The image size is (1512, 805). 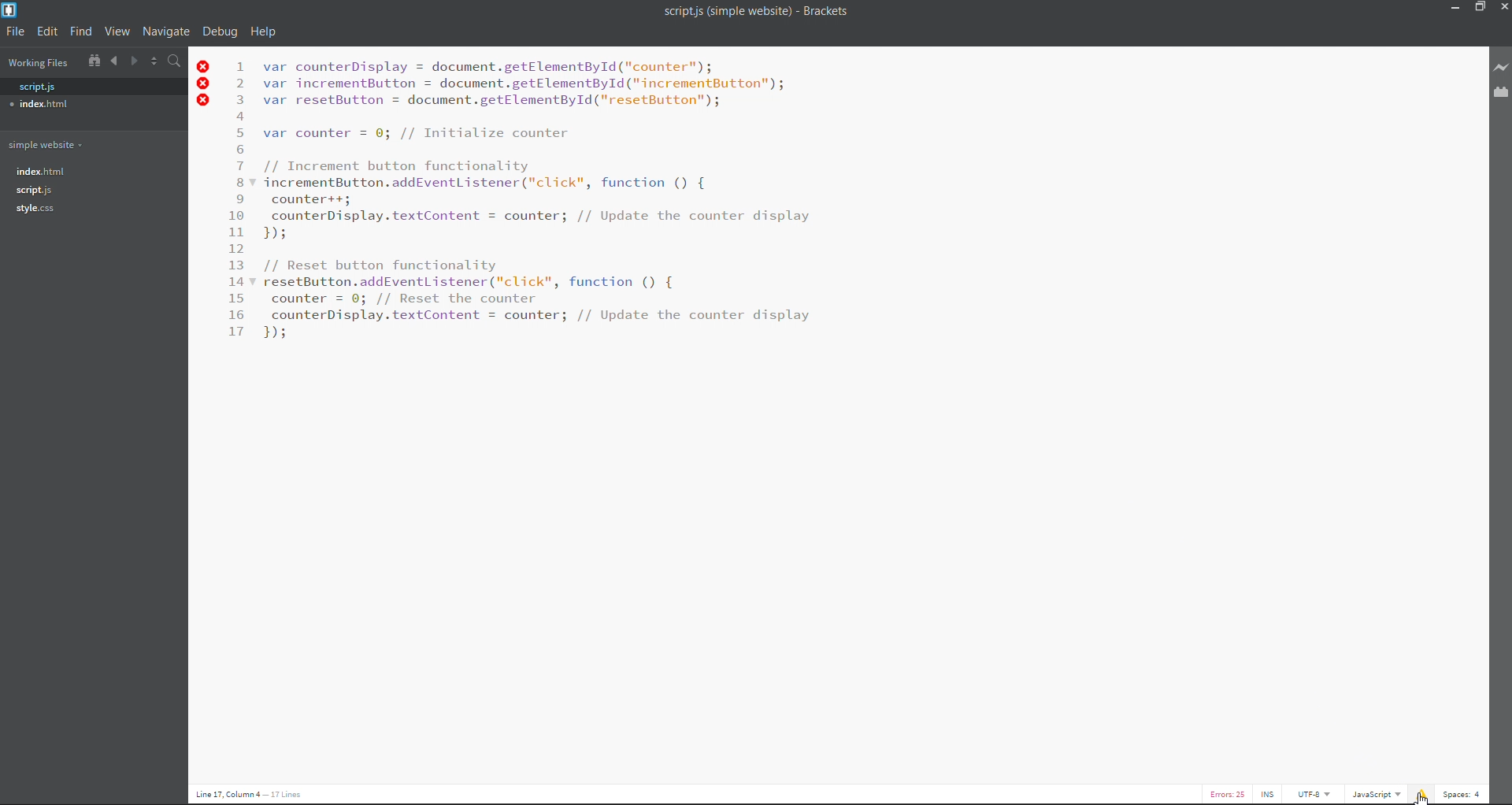 I want to click on extension manager, so click(x=1502, y=95).